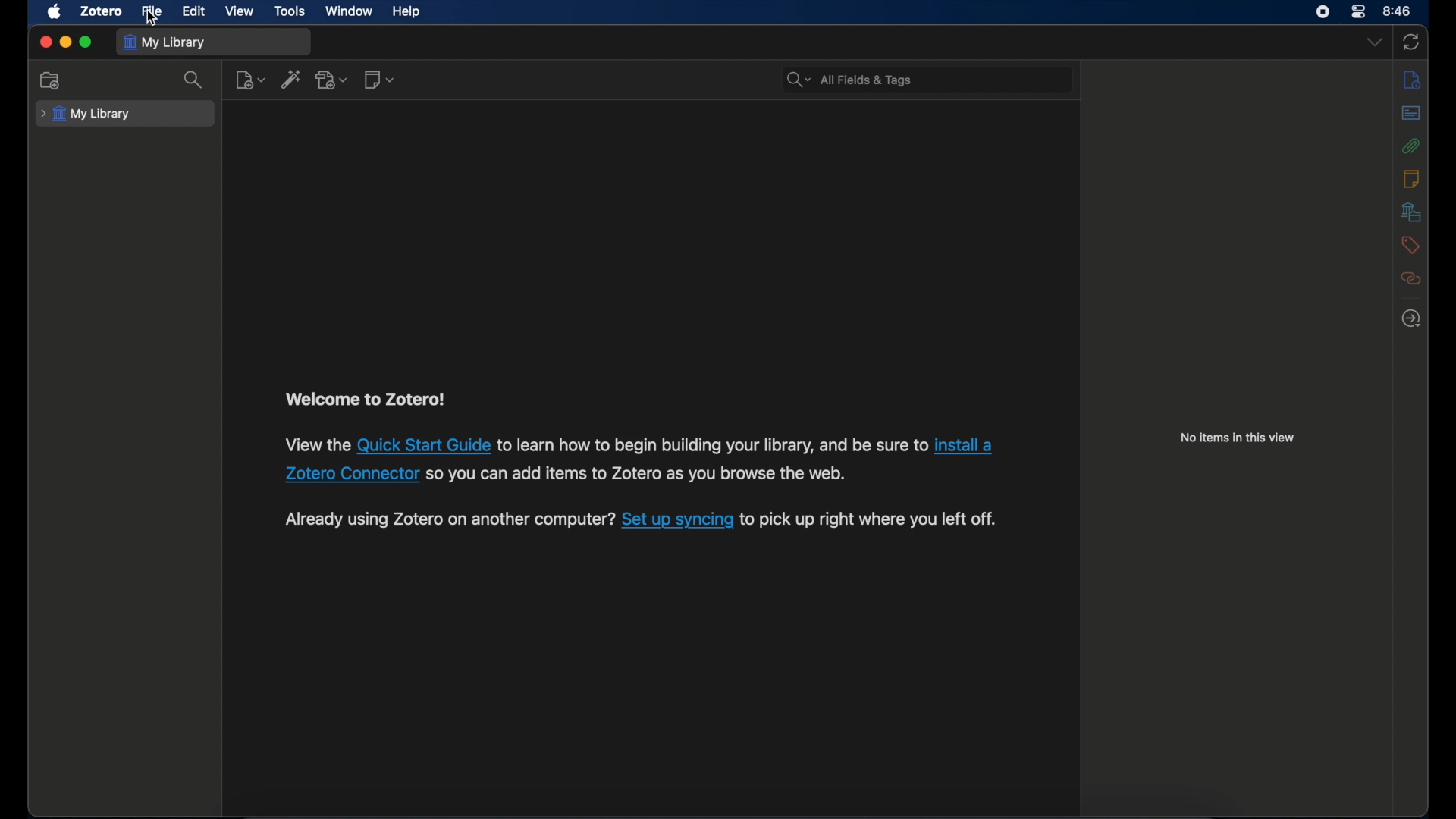 Image resolution: width=1456 pixels, height=819 pixels. I want to click on new item, so click(250, 79).